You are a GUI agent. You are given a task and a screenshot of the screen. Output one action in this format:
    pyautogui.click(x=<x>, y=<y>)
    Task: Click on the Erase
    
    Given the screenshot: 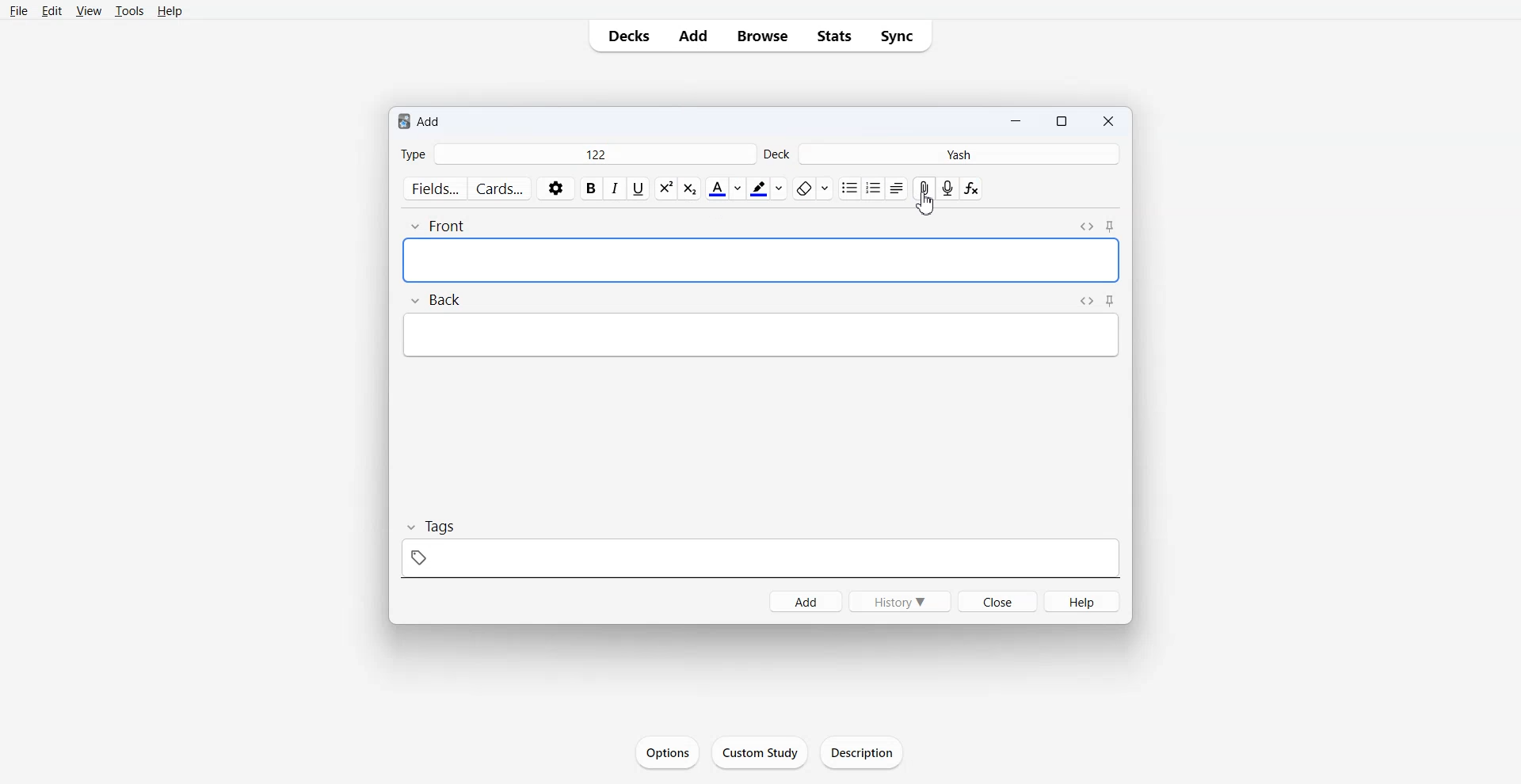 What is the action you would take?
    pyautogui.click(x=813, y=188)
    